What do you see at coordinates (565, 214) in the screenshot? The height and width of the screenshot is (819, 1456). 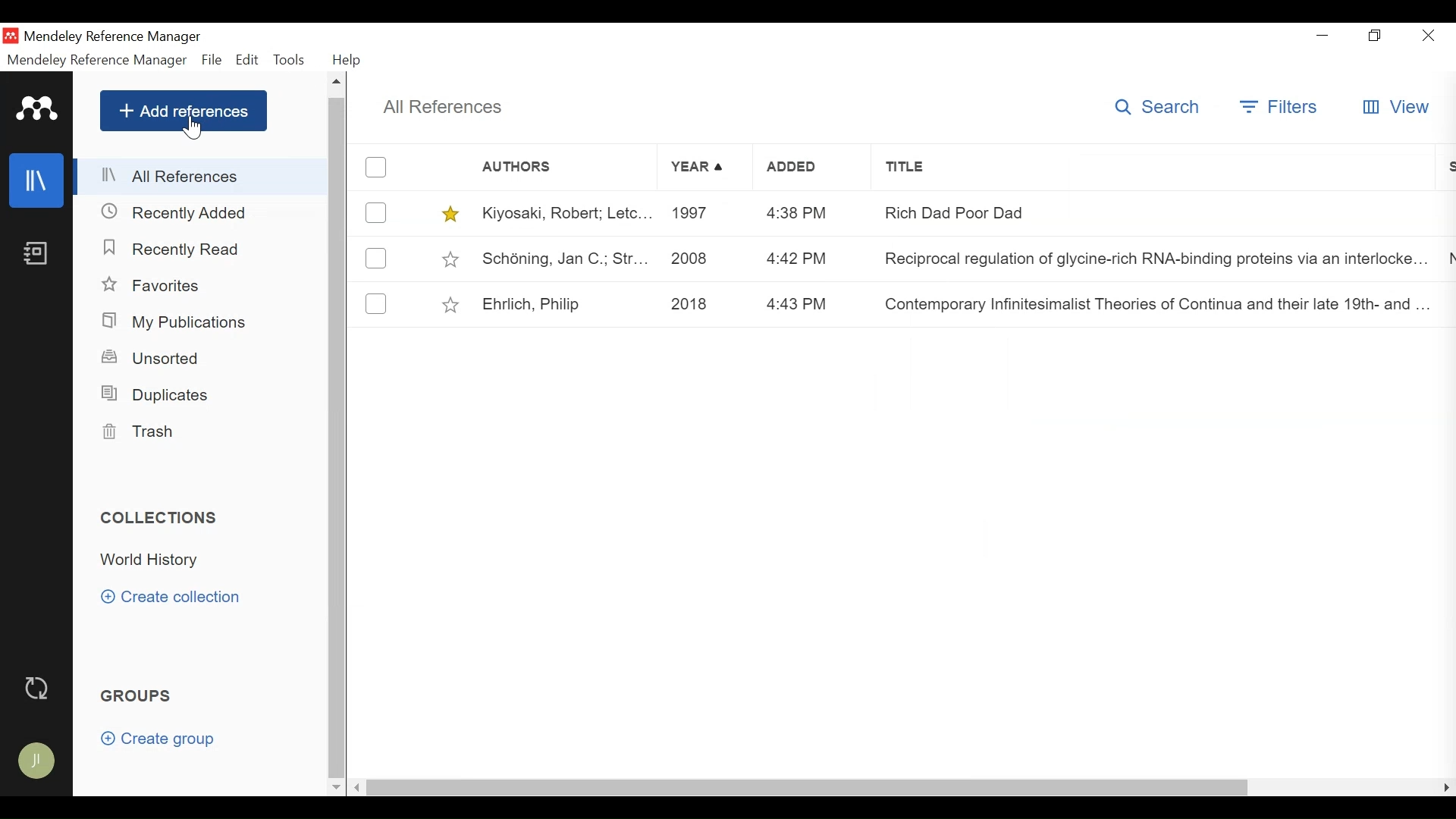 I see `Kiyosaki, Robert; Letc...` at bounding box center [565, 214].